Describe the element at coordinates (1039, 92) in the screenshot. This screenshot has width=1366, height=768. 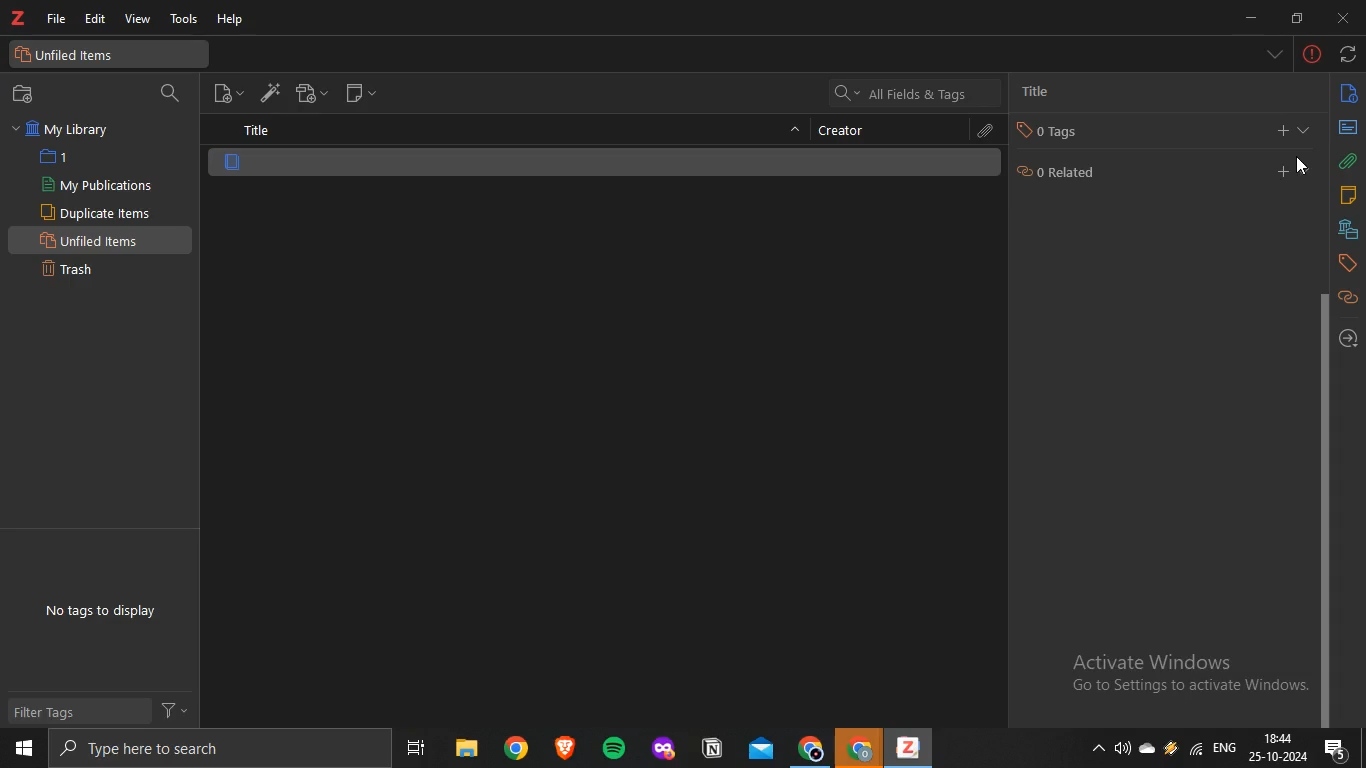
I see `title` at that location.